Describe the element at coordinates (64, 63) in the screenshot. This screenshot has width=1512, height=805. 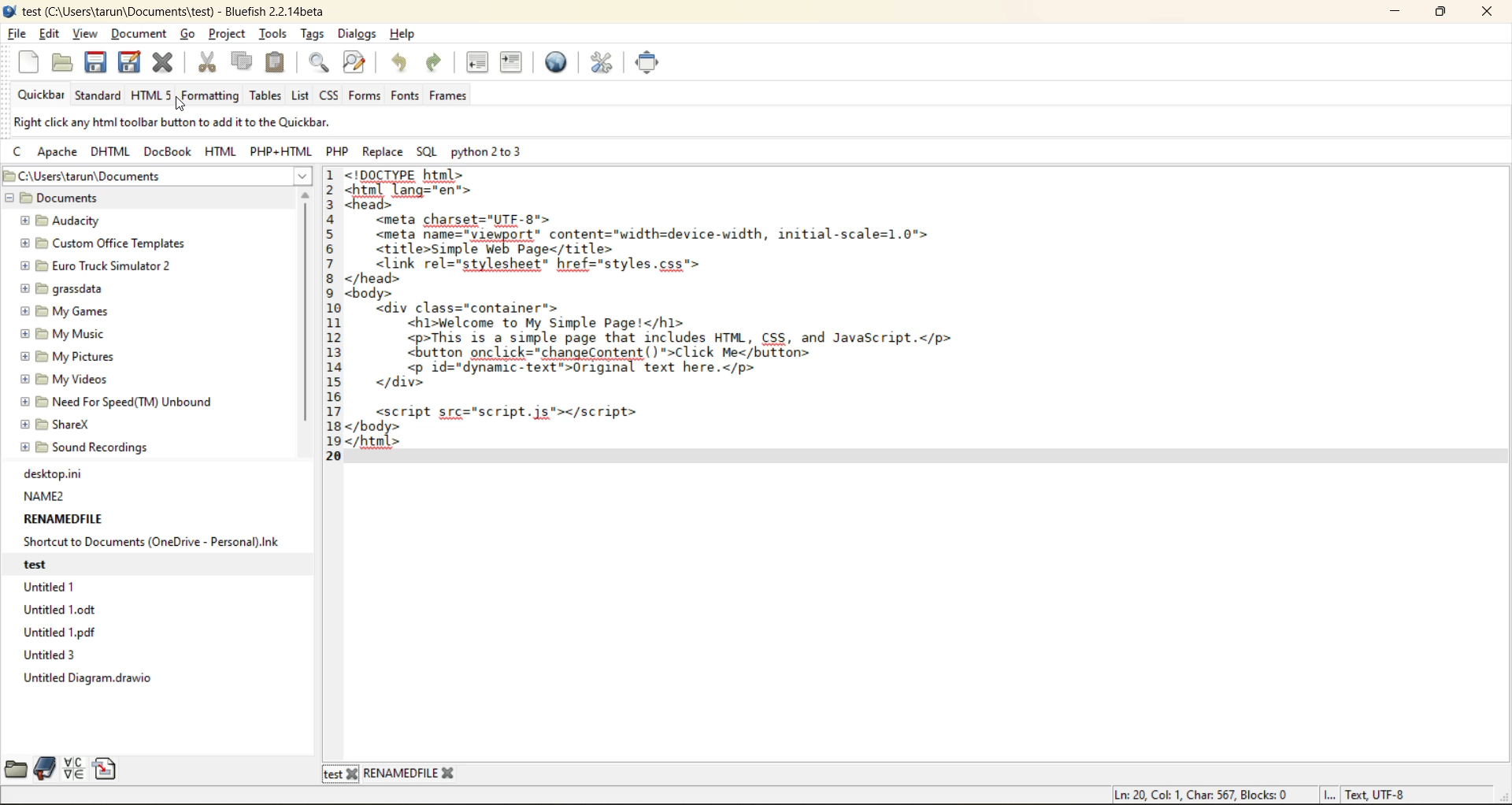
I see `open` at that location.